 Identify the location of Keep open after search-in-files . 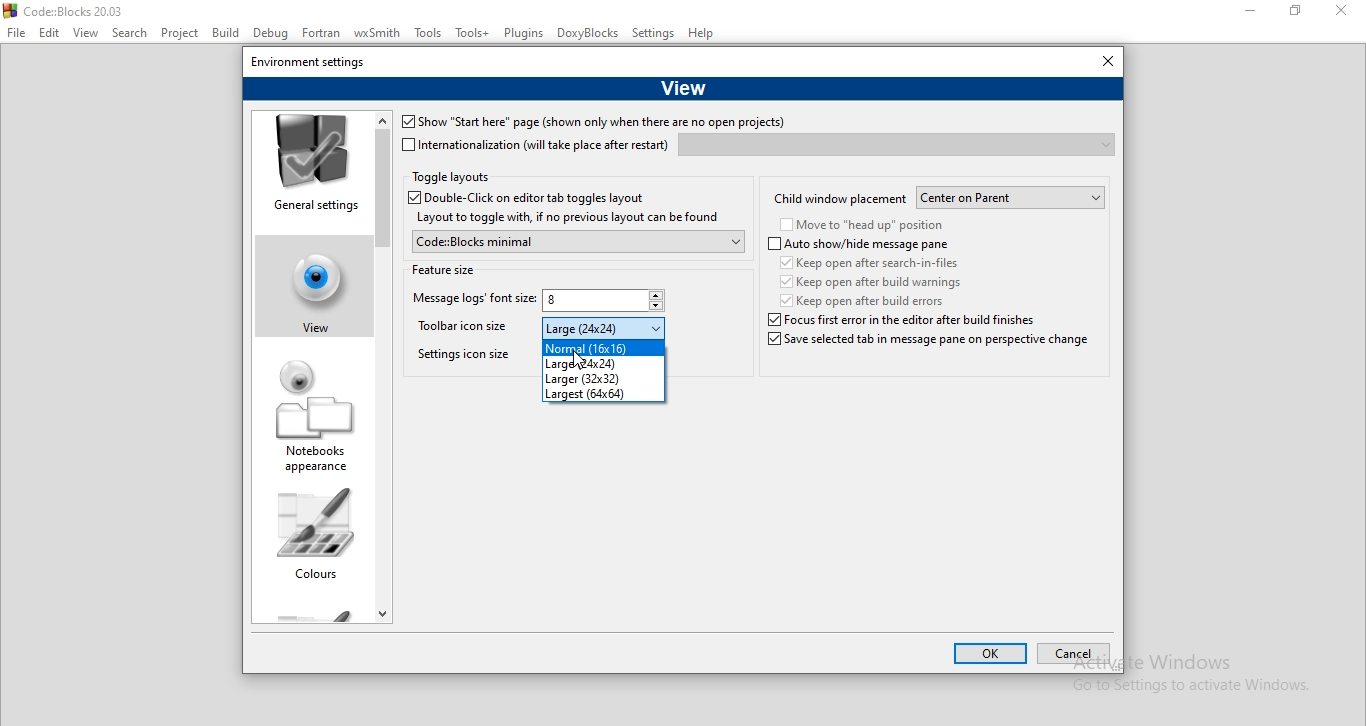
(874, 262).